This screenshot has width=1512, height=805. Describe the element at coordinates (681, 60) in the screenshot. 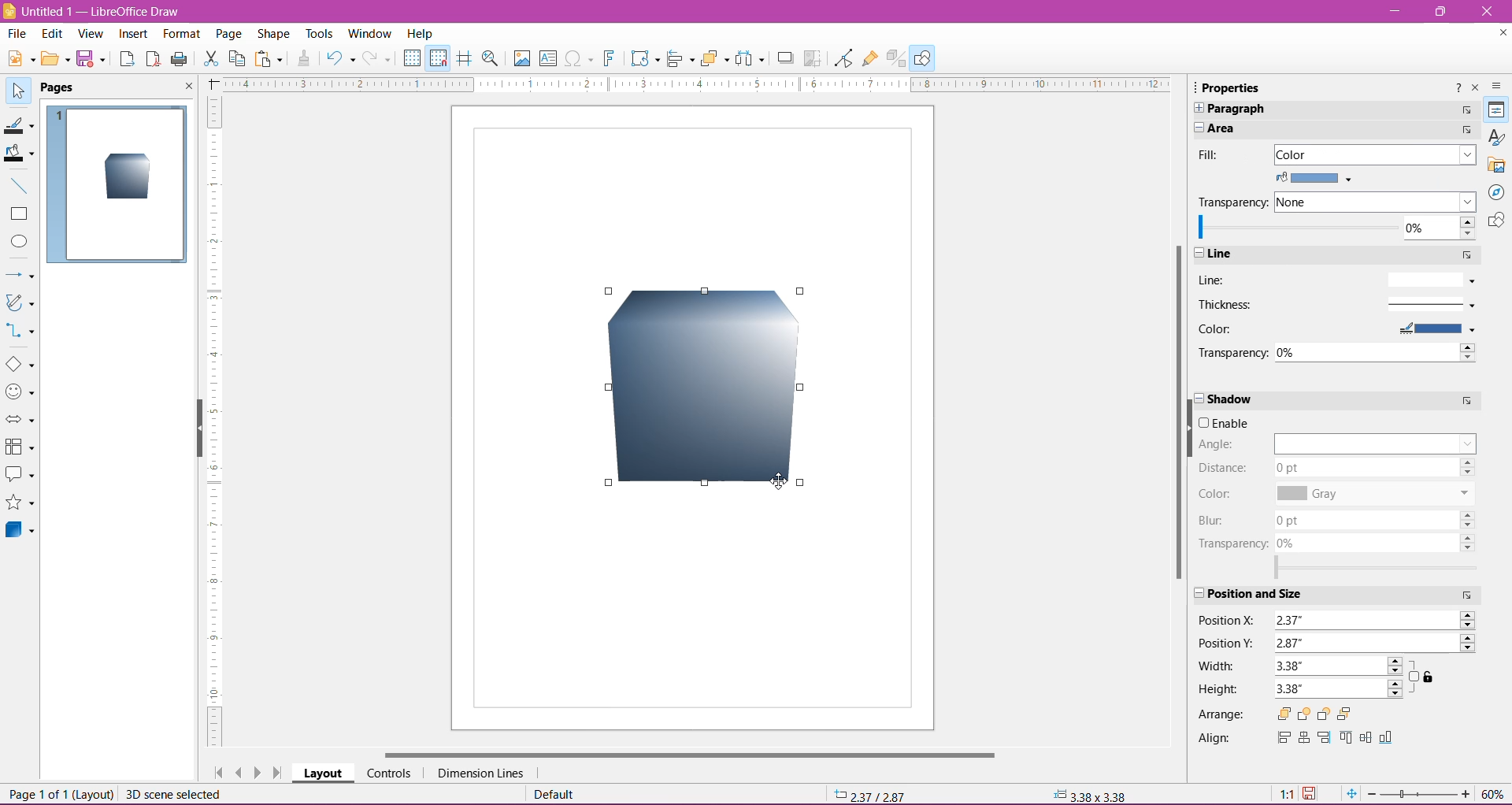

I see `Align` at that location.